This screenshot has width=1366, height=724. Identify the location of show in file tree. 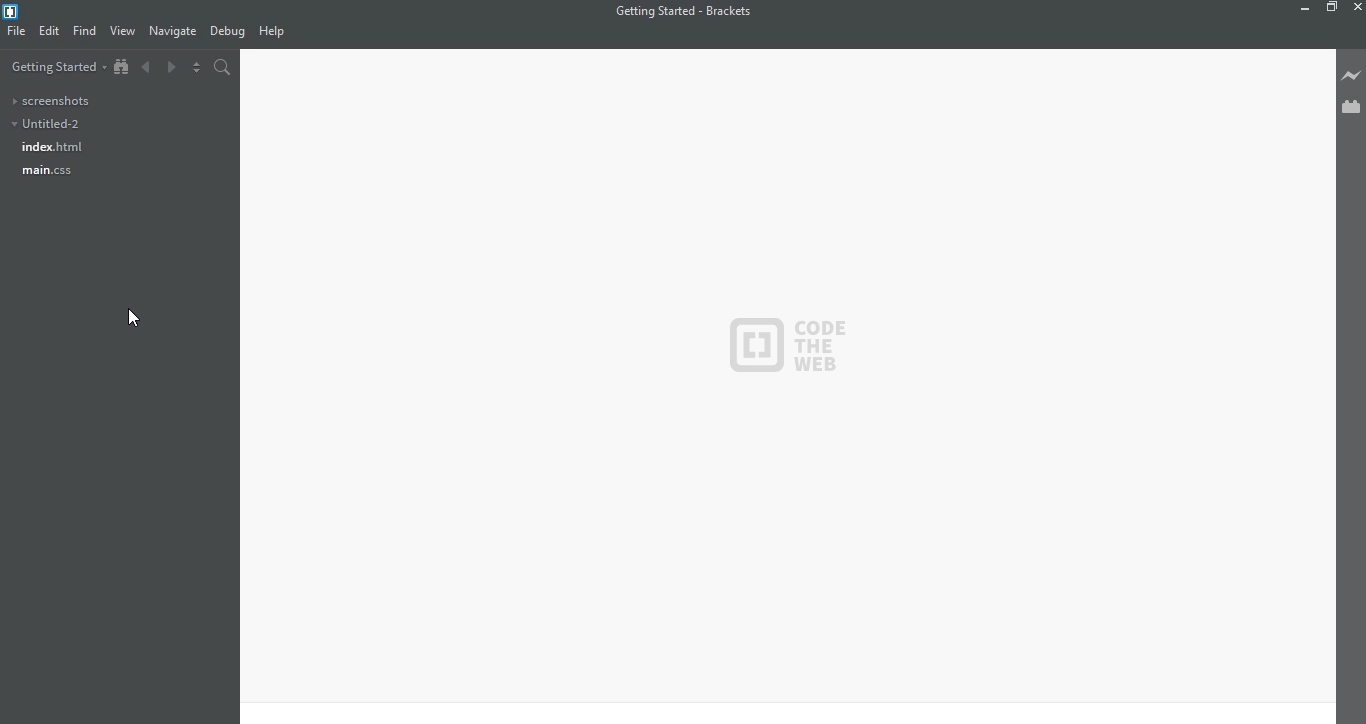
(124, 65).